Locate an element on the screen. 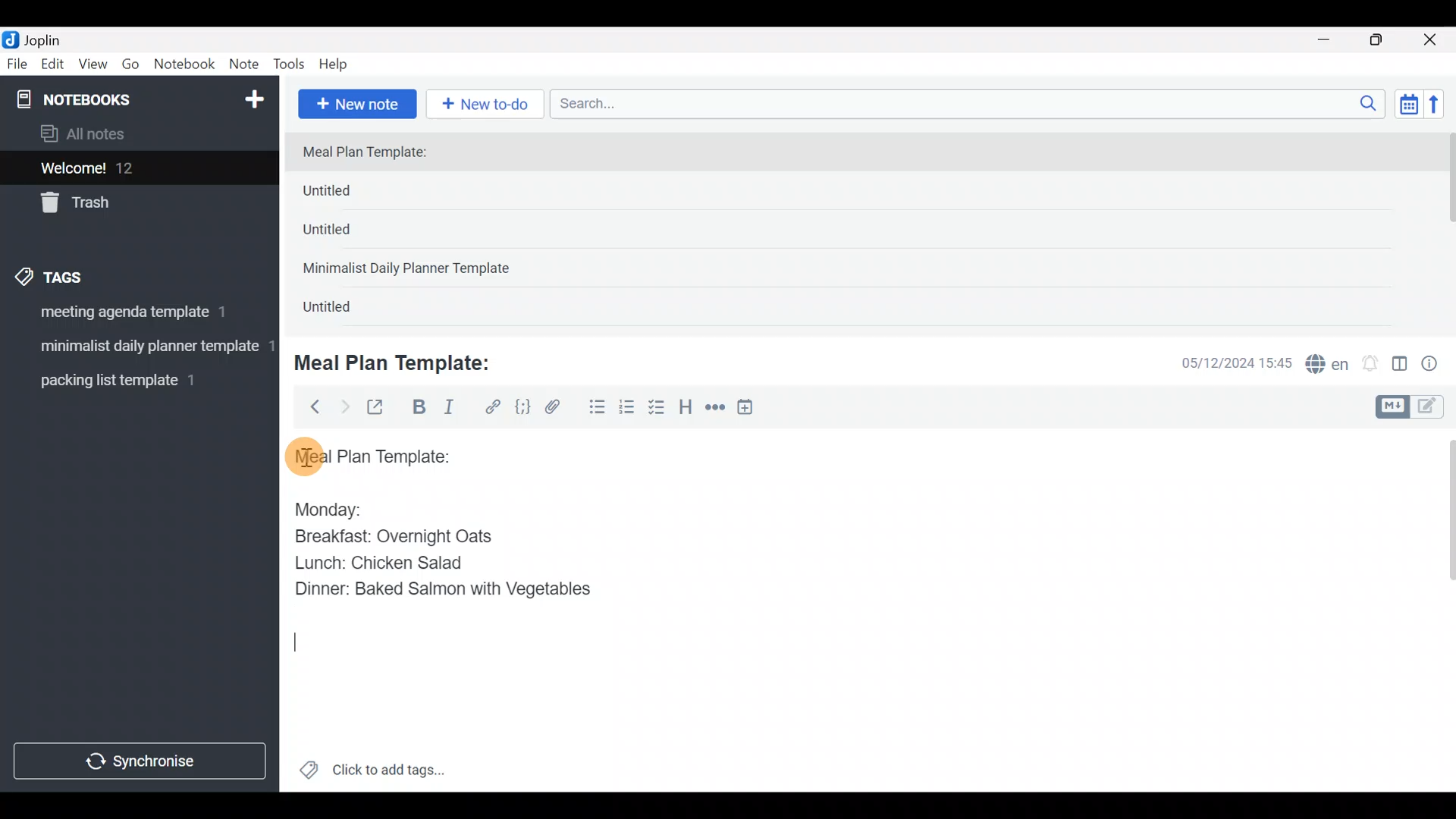  Checkbox is located at coordinates (658, 409).